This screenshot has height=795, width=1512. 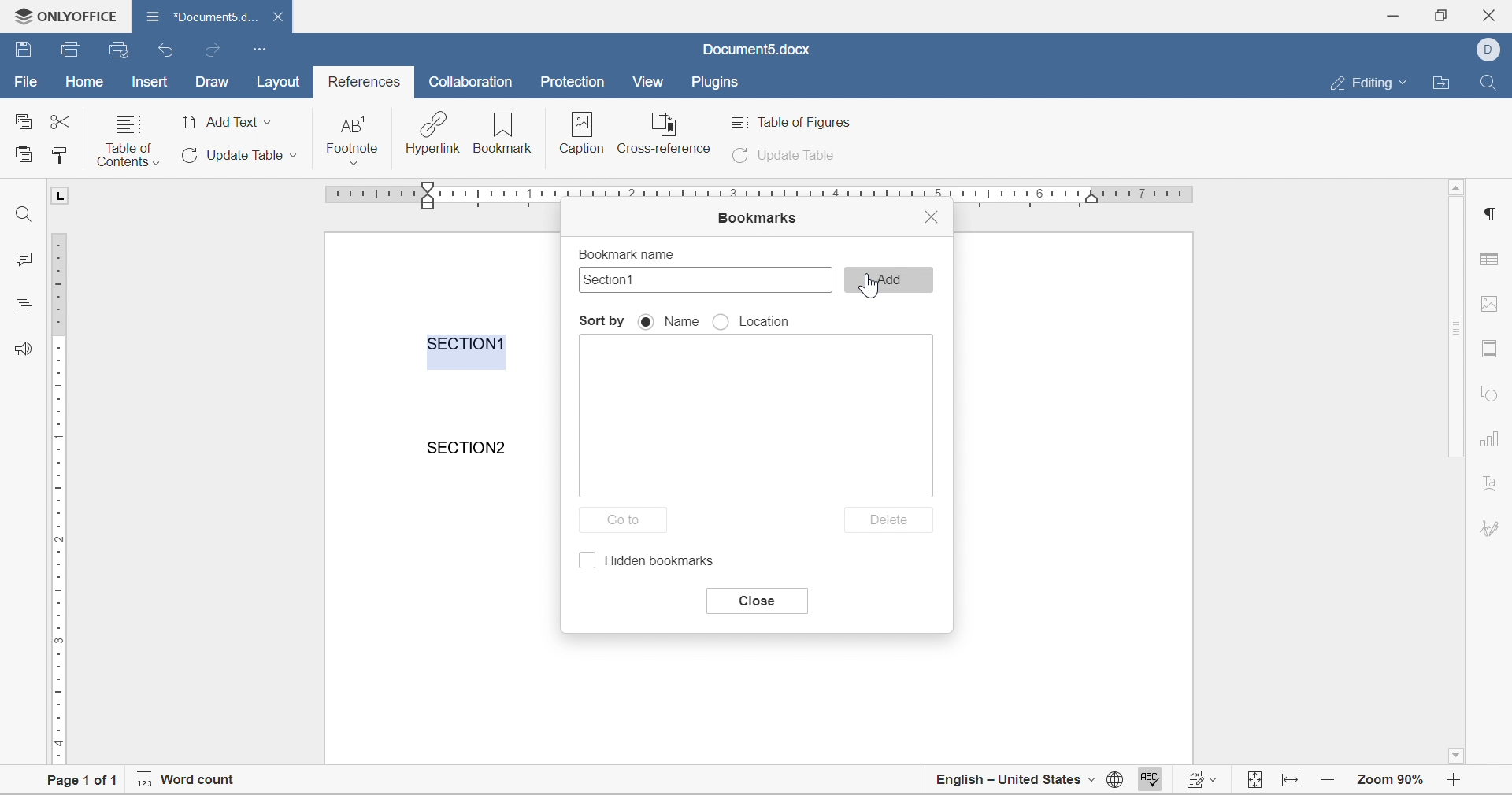 I want to click on quick print, so click(x=120, y=49).